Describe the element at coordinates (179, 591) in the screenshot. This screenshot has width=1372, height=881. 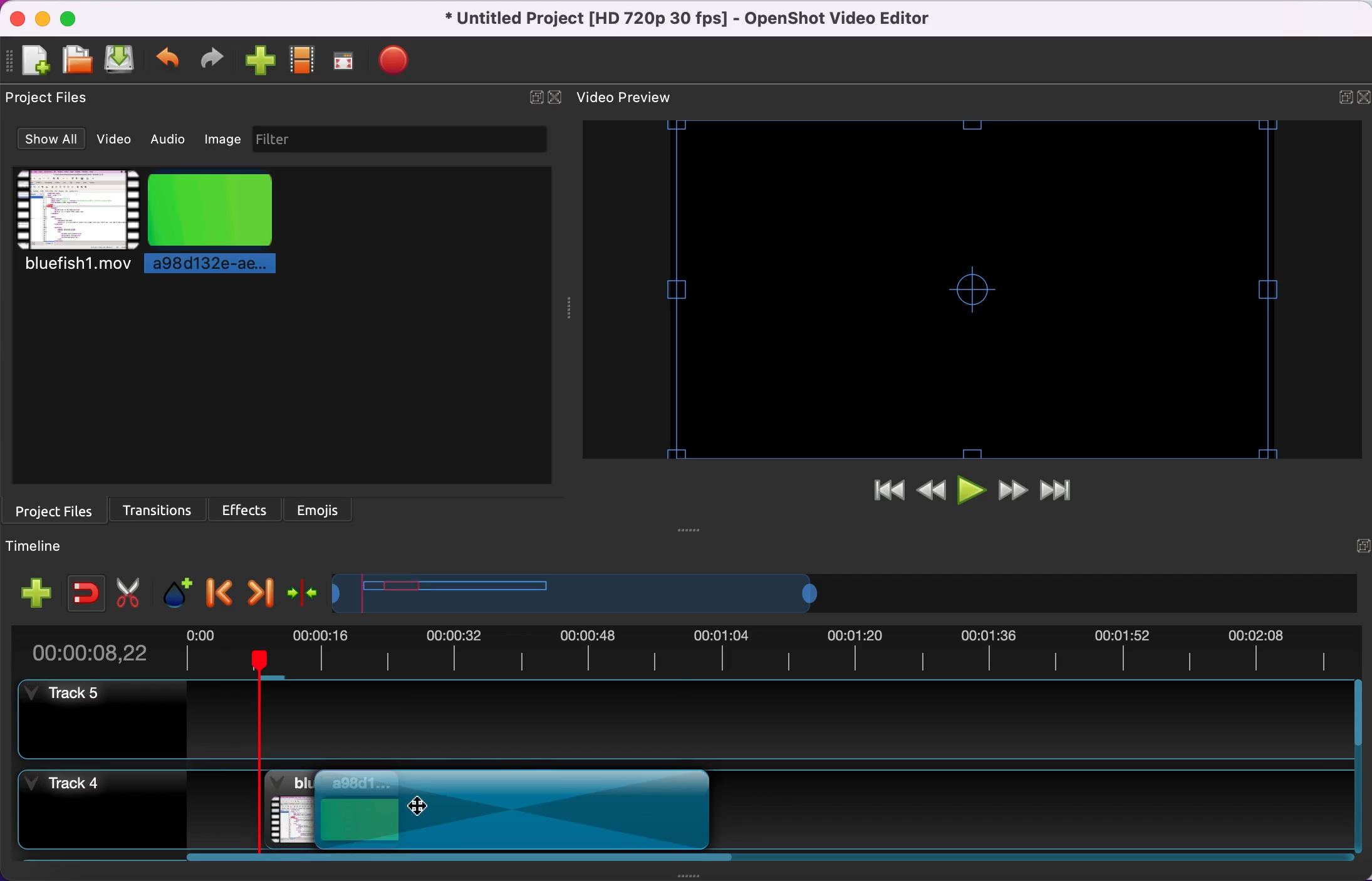
I see `add marker` at that location.